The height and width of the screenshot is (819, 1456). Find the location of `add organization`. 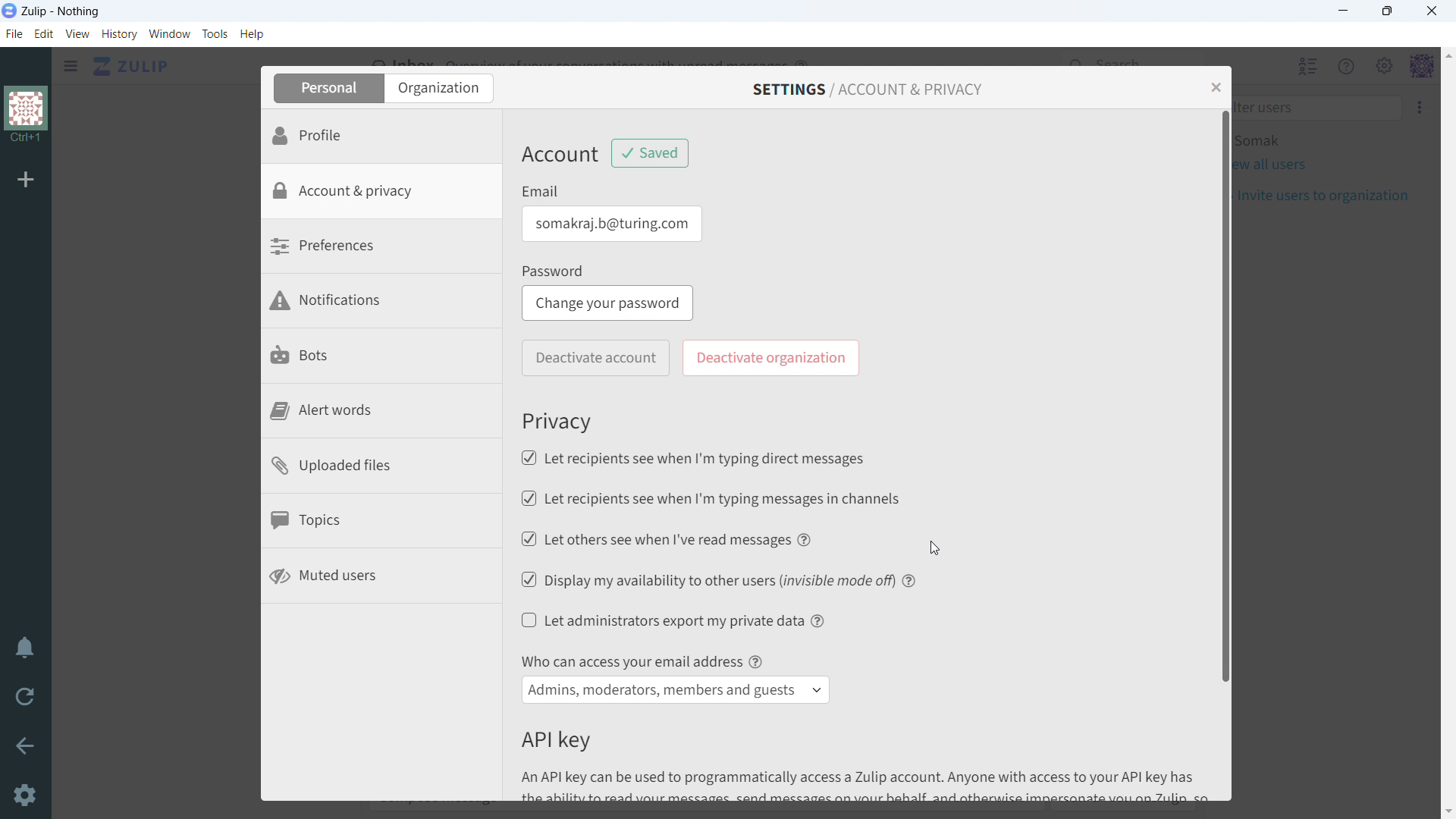

add organization is located at coordinates (26, 178).